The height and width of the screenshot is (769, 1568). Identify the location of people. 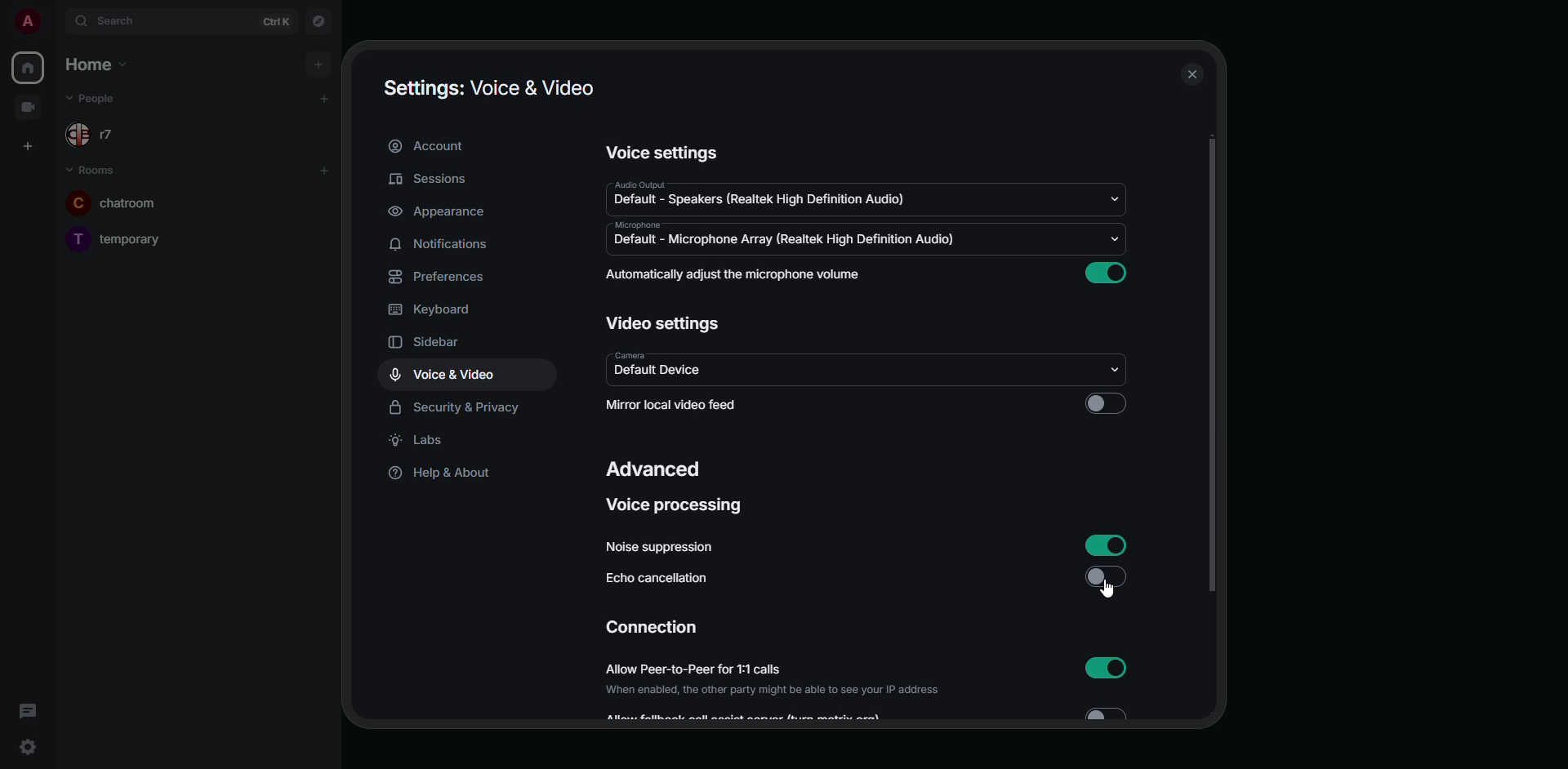
(95, 100).